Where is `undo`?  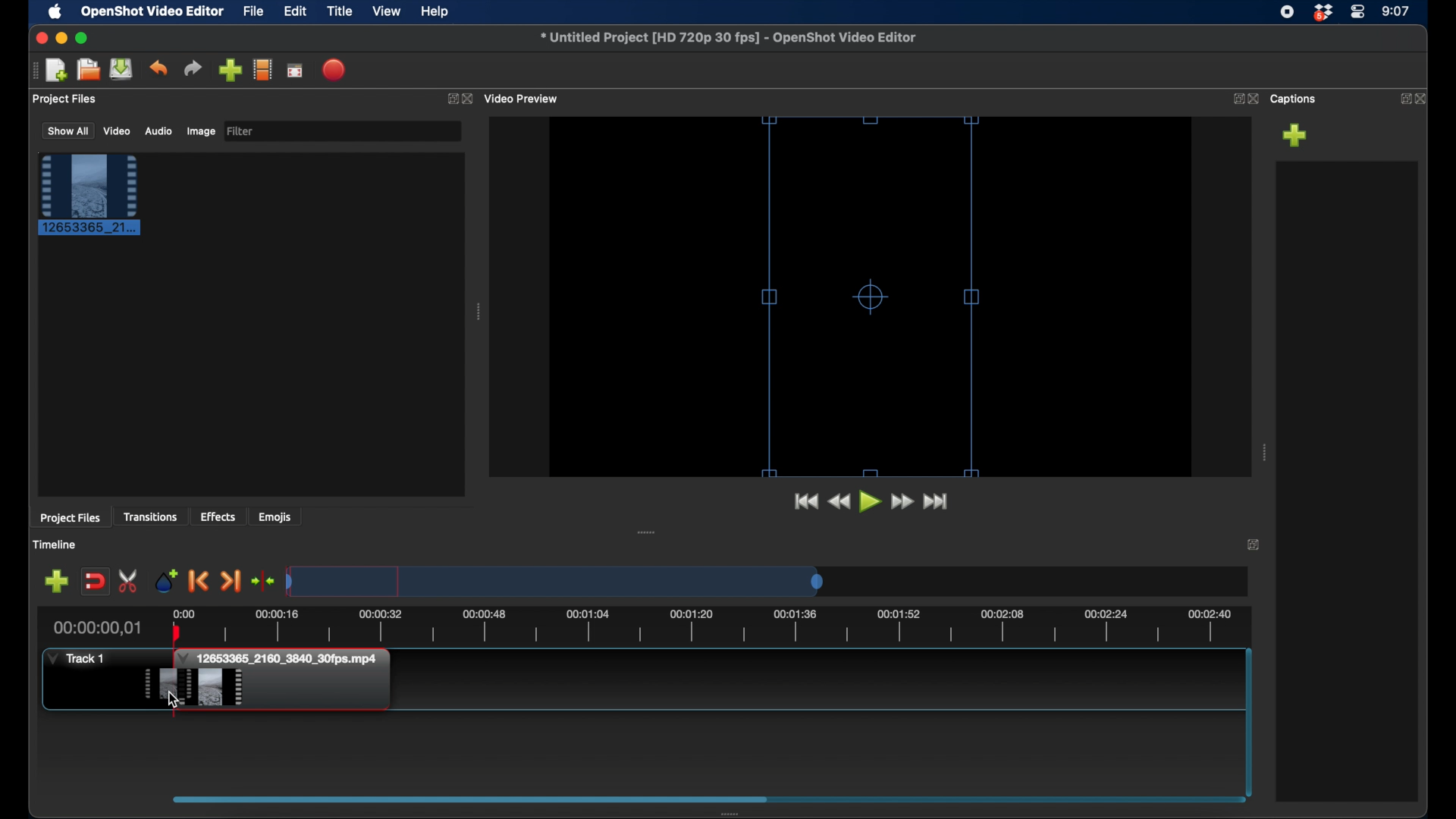
undo is located at coordinates (159, 67).